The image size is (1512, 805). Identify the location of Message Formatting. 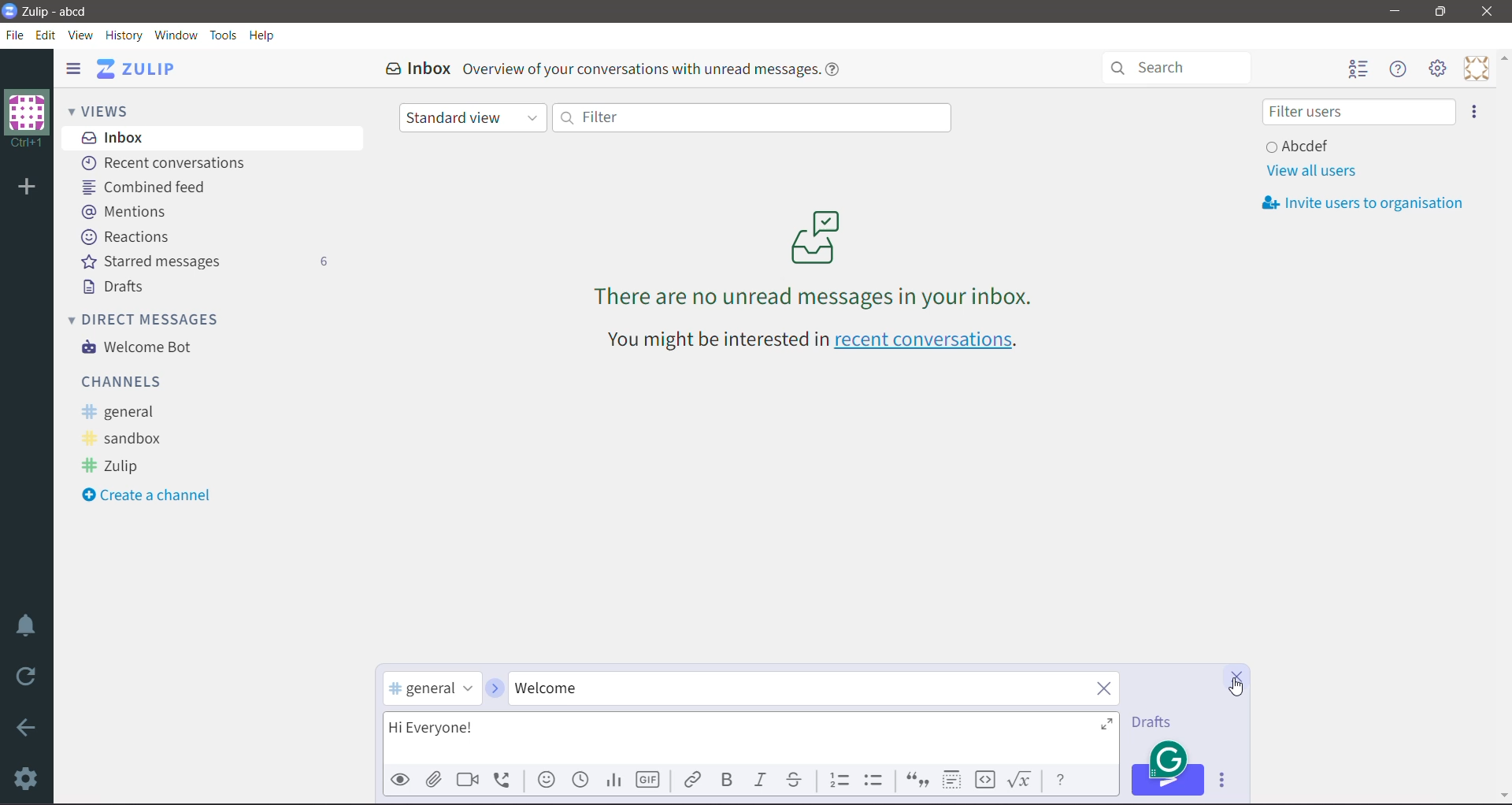
(1061, 778).